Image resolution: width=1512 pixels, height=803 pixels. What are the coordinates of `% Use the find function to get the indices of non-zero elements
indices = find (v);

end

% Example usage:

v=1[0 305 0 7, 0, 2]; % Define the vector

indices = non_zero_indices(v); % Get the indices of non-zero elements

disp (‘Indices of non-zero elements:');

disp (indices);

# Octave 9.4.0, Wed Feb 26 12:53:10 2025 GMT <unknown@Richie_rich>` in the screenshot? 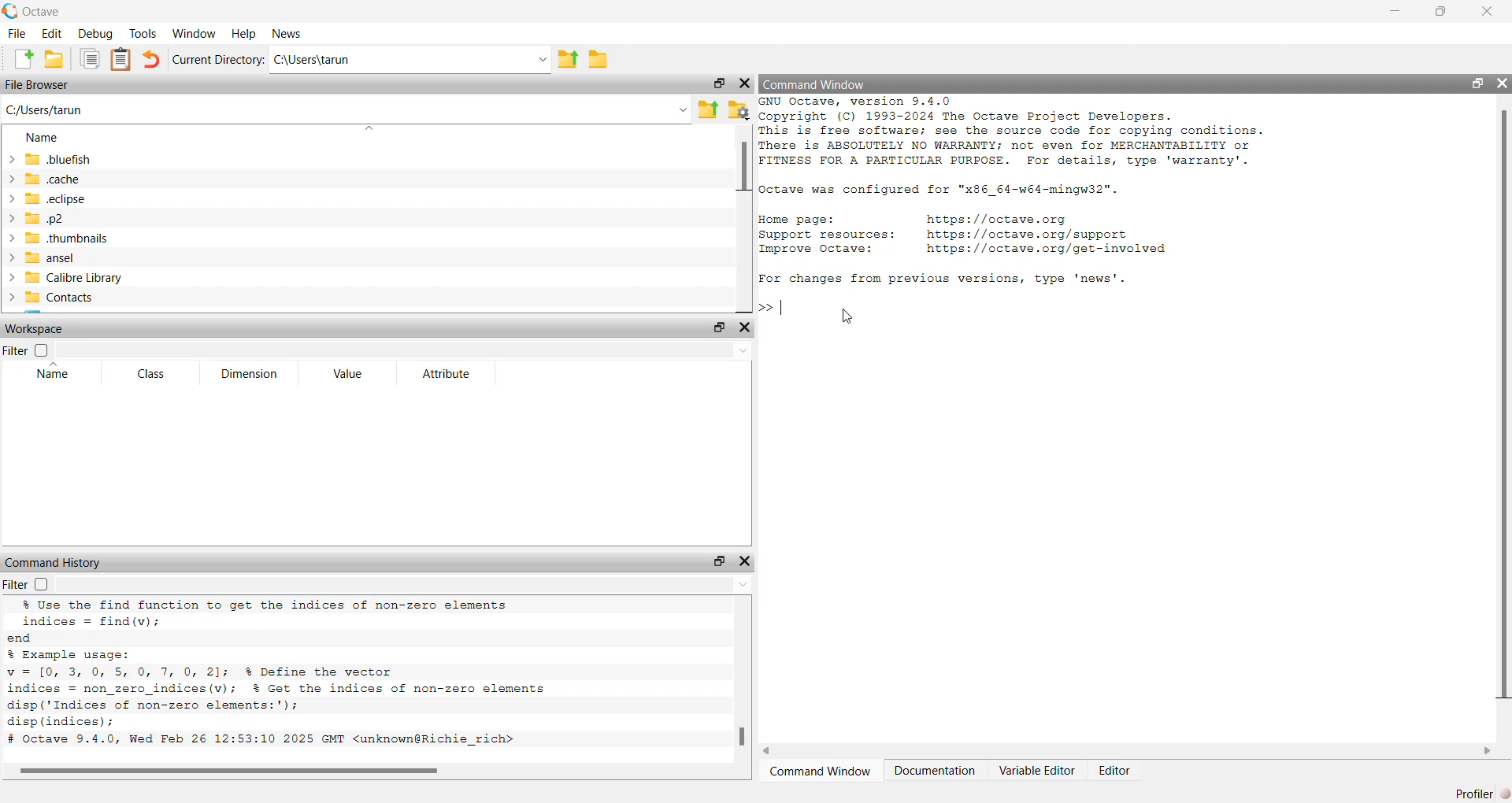 It's located at (317, 676).